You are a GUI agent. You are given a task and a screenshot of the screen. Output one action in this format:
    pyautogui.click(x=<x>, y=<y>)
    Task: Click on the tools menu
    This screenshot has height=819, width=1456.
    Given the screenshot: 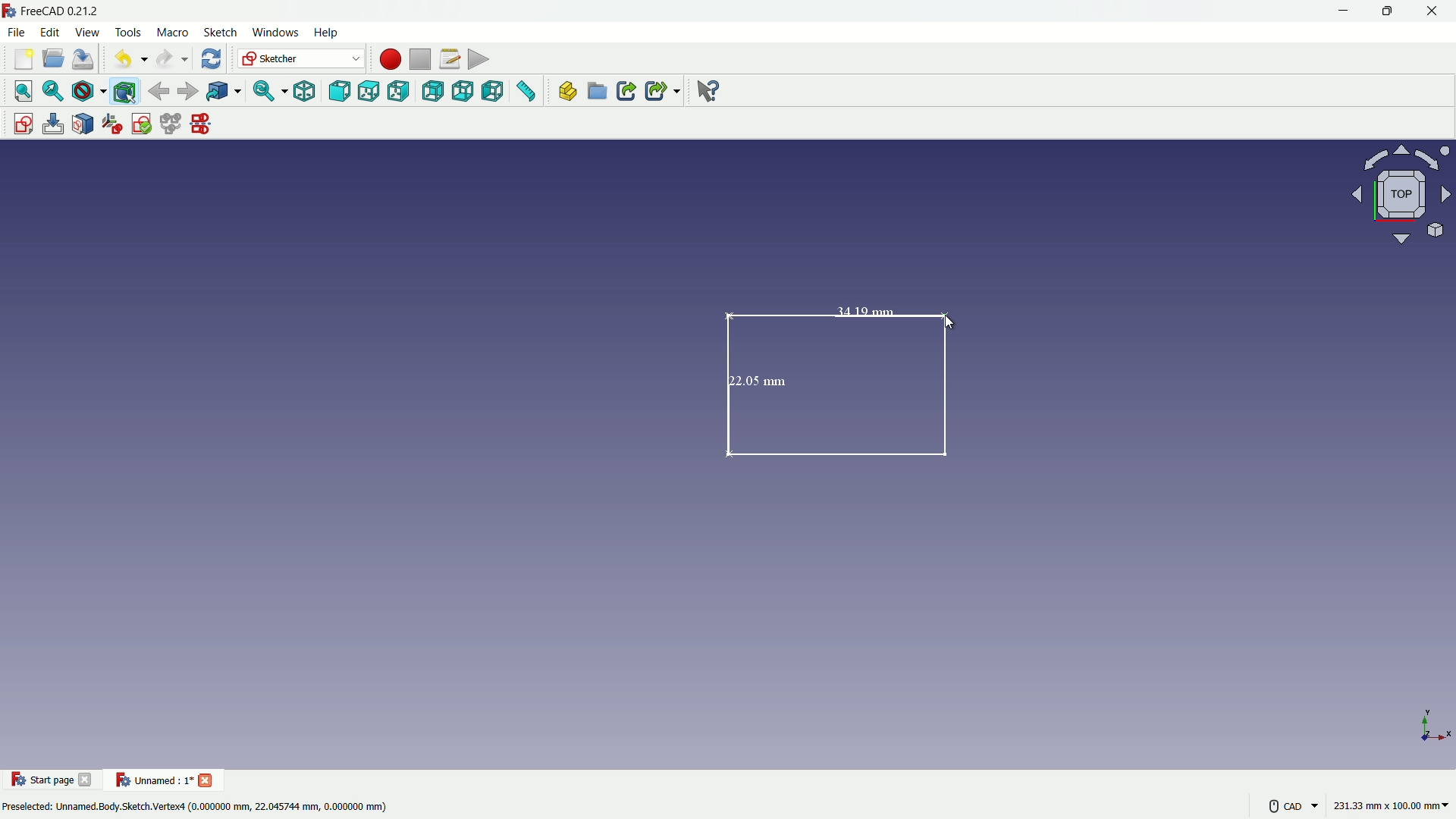 What is the action you would take?
    pyautogui.click(x=127, y=32)
    